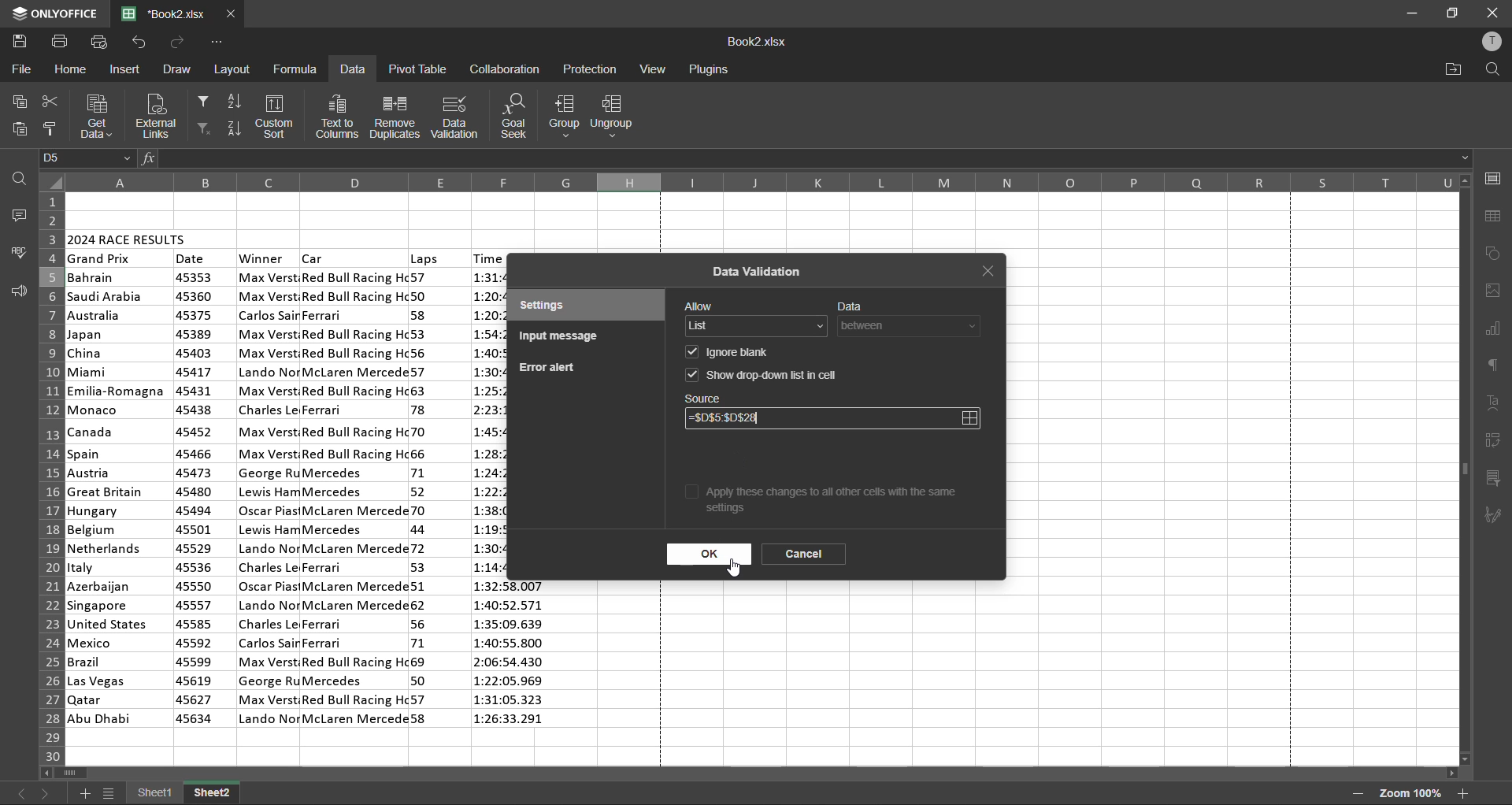 The height and width of the screenshot is (805, 1512). I want to click on charts, so click(1493, 331).